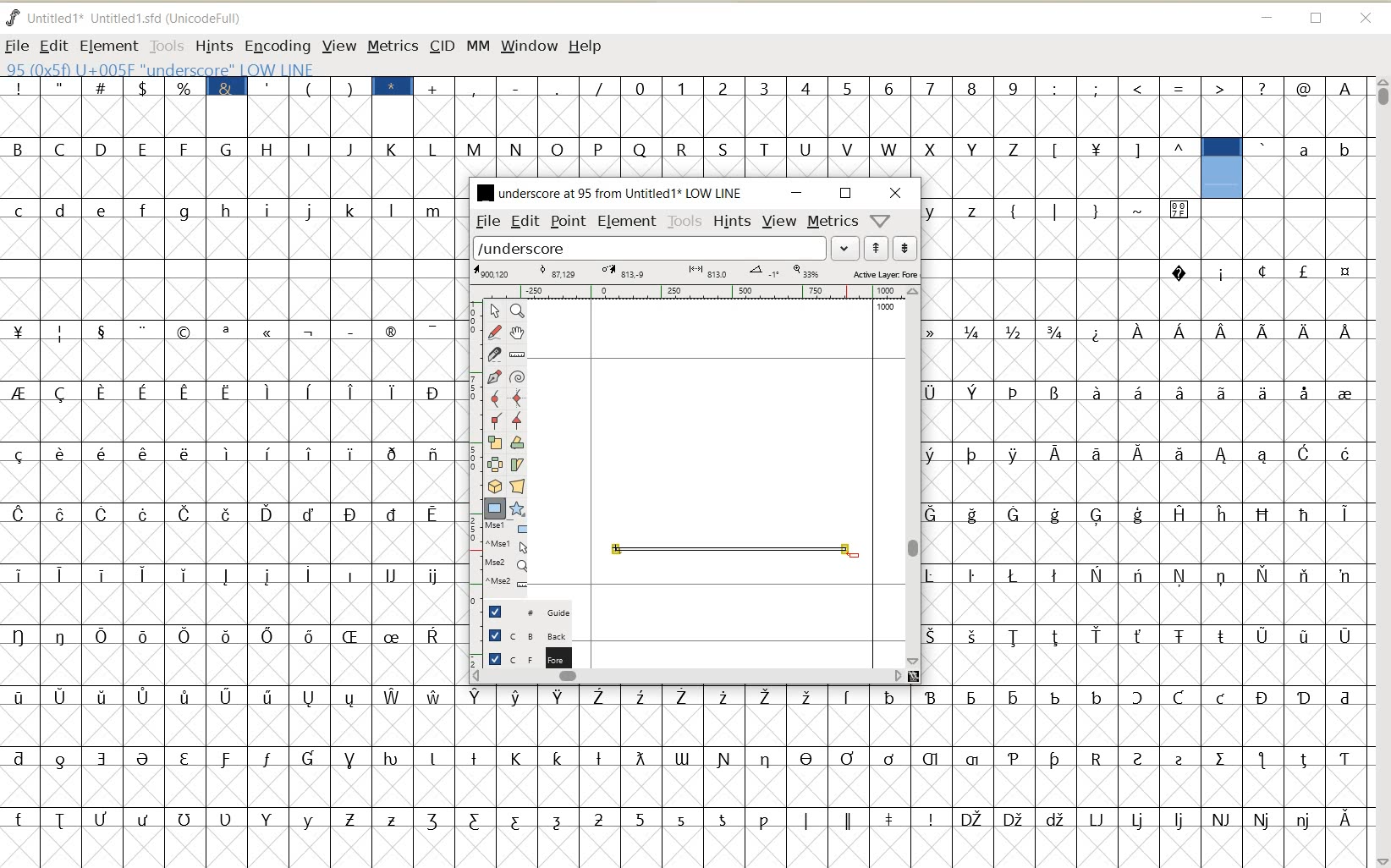 Image resolution: width=1391 pixels, height=868 pixels. What do you see at coordinates (1266, 15) in the screenshot?
I see `MINIMIZE` at bounding box center [1266, 15].